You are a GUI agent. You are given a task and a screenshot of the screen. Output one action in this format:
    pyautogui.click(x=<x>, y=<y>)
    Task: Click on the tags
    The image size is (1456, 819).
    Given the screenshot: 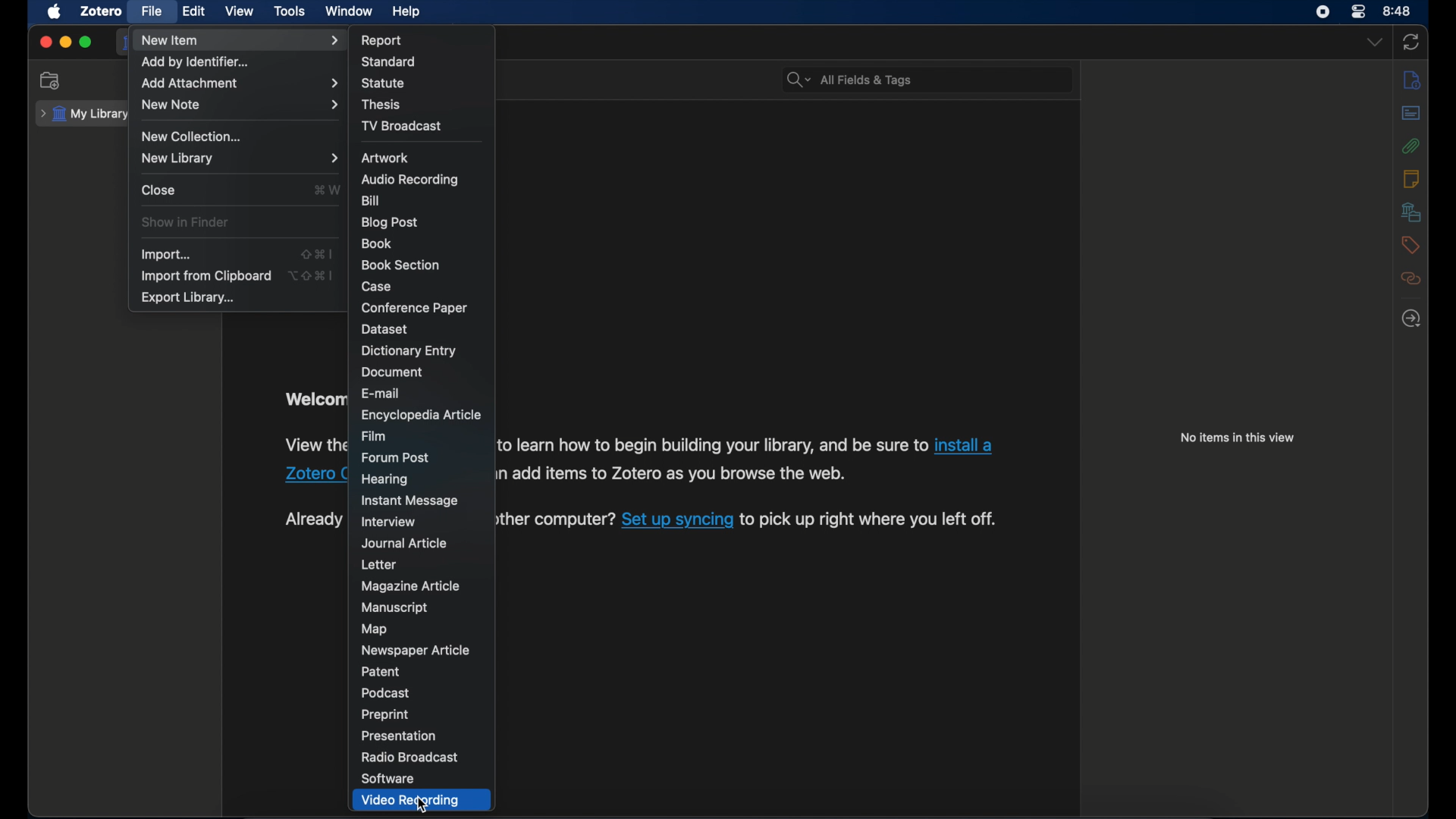 What is the action you would take?
    pyautogui.click(x=1410, y=245)
    